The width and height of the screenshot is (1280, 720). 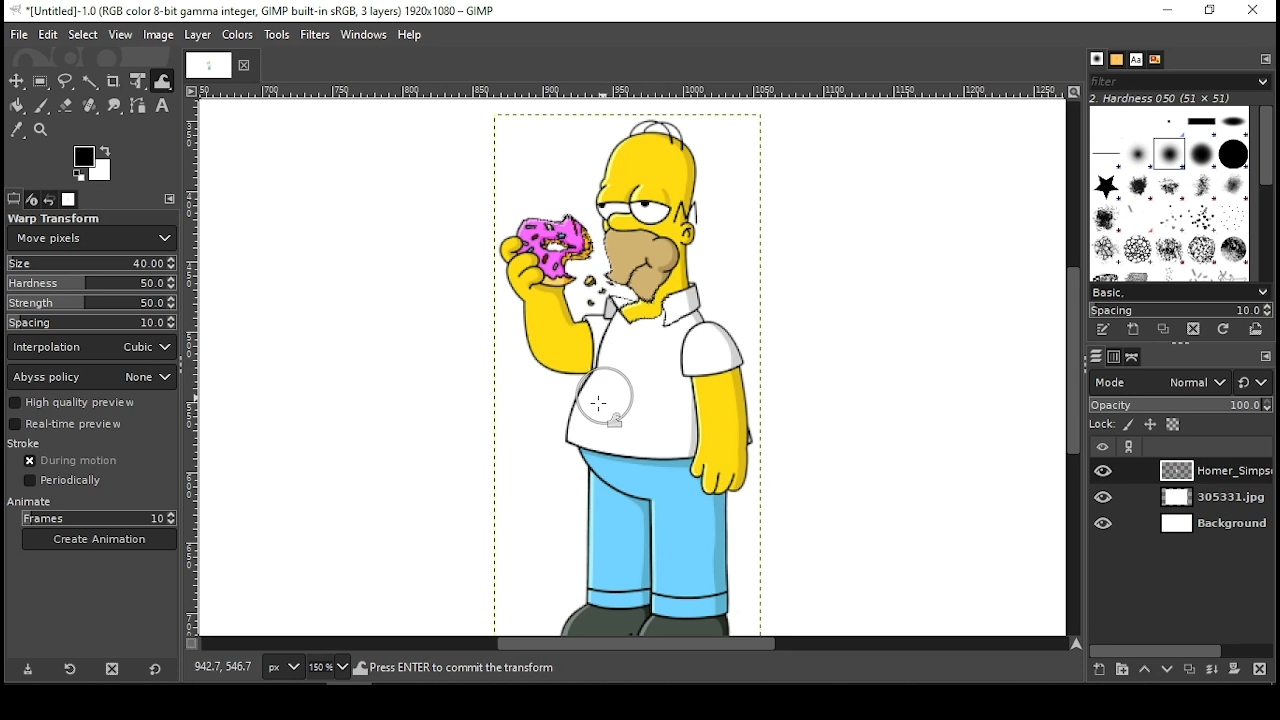 I want to click on layer mode, so click(x=1160, y=382).